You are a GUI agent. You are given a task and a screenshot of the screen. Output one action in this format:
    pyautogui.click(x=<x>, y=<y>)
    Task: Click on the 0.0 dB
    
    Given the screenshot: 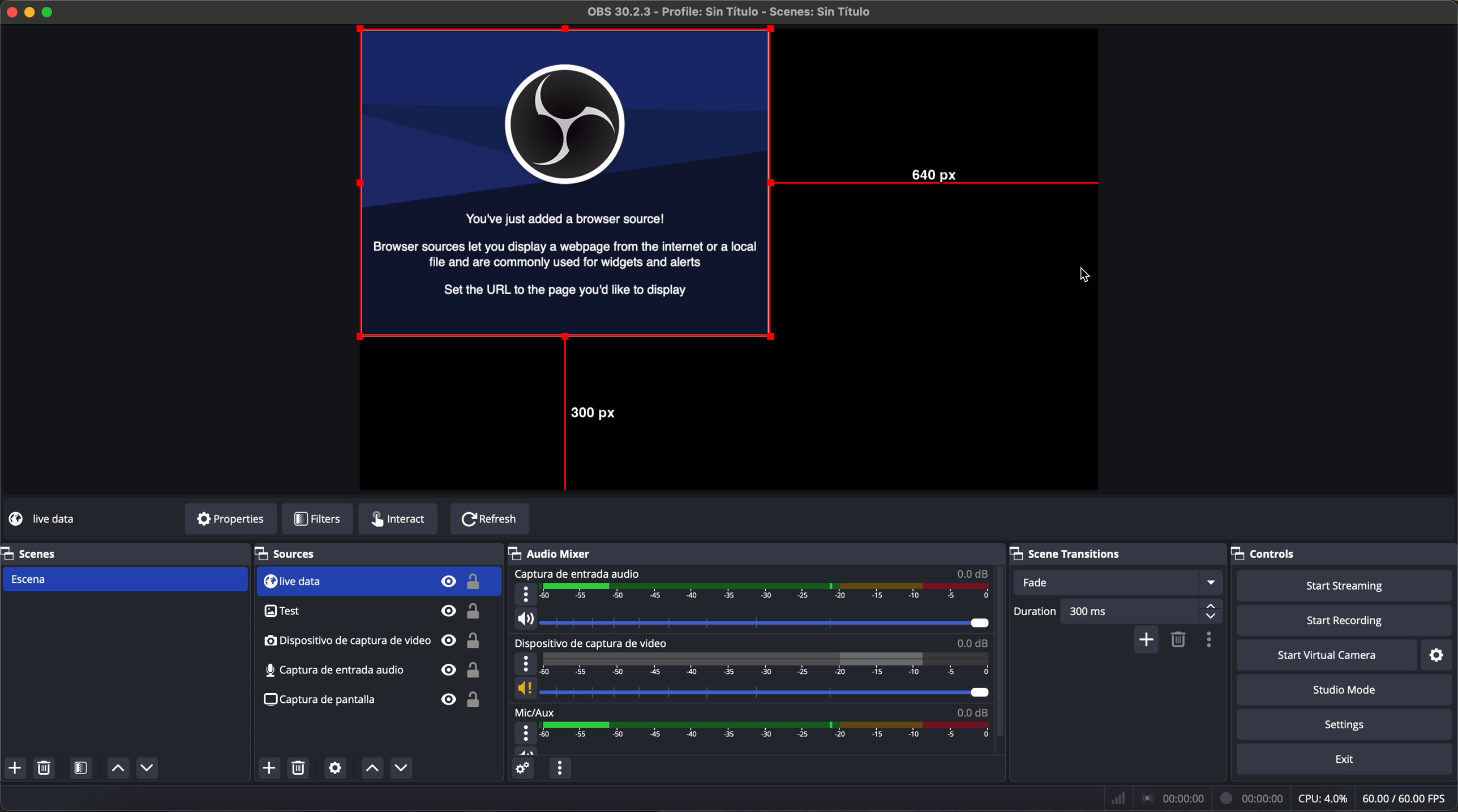 What is the action you would take?
    pyautogui.click(x=973, y=574)
    